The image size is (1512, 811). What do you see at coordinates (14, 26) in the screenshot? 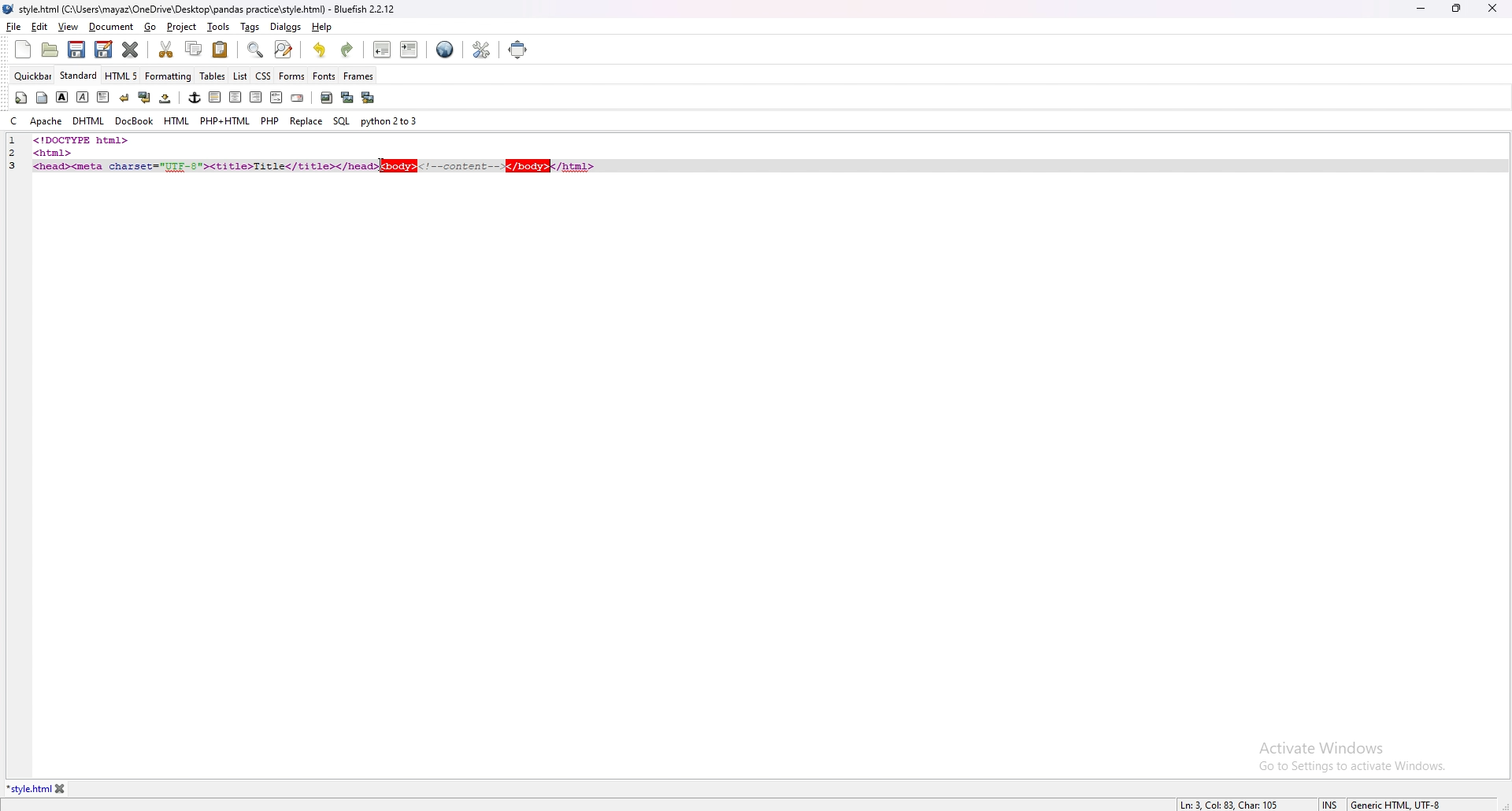
I see `file` at bounding box center [14, 26].